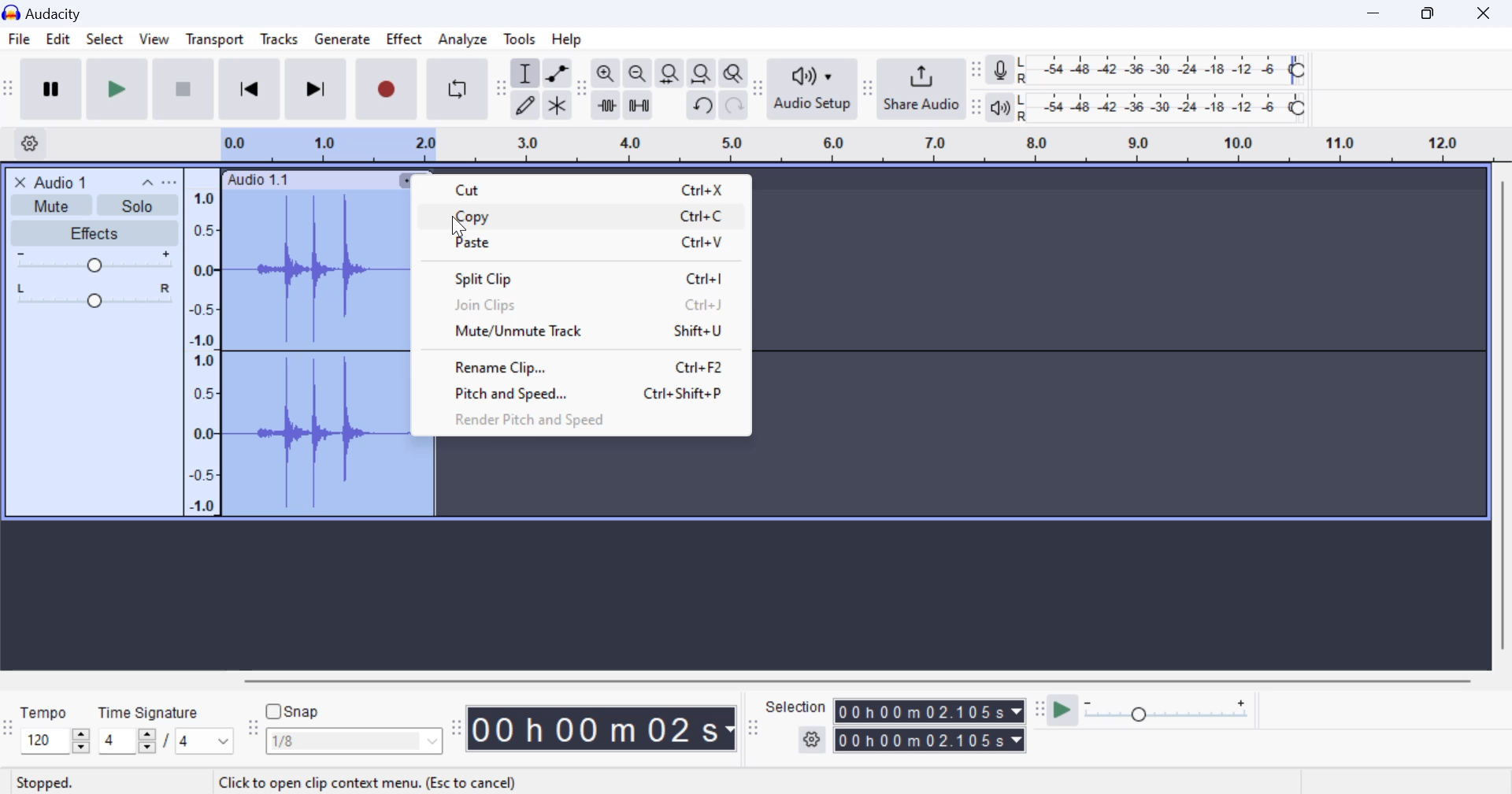 Image resolution: width=1512 pixels, height=794 pixels. Describe the element at coordinates (605, 728) in the screenshot. I see `Clip Length` at that location.